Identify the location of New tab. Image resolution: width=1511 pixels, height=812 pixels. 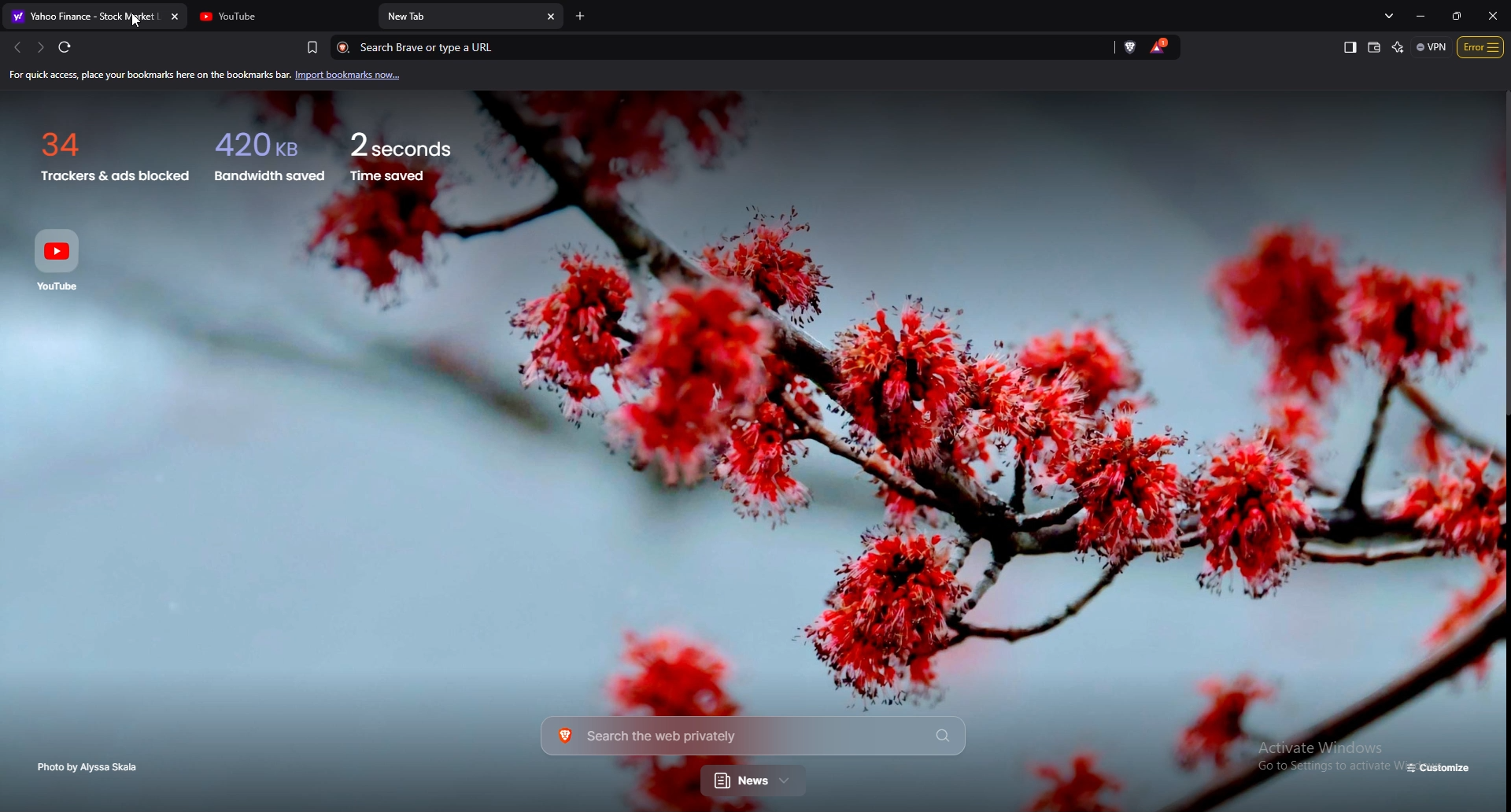
(458, 16).